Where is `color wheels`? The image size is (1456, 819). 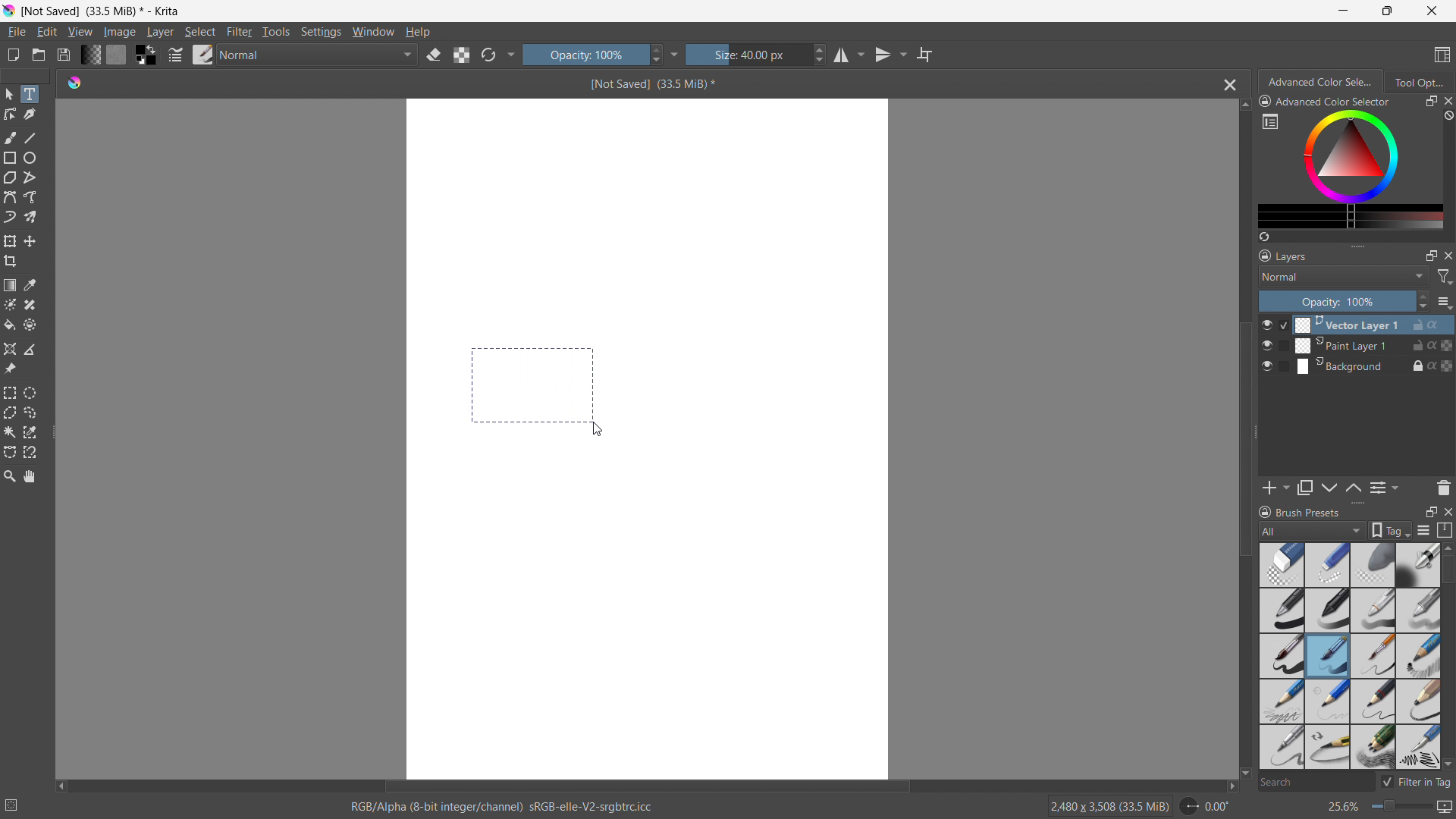
color wheels is located at coordinates (1351, 155).